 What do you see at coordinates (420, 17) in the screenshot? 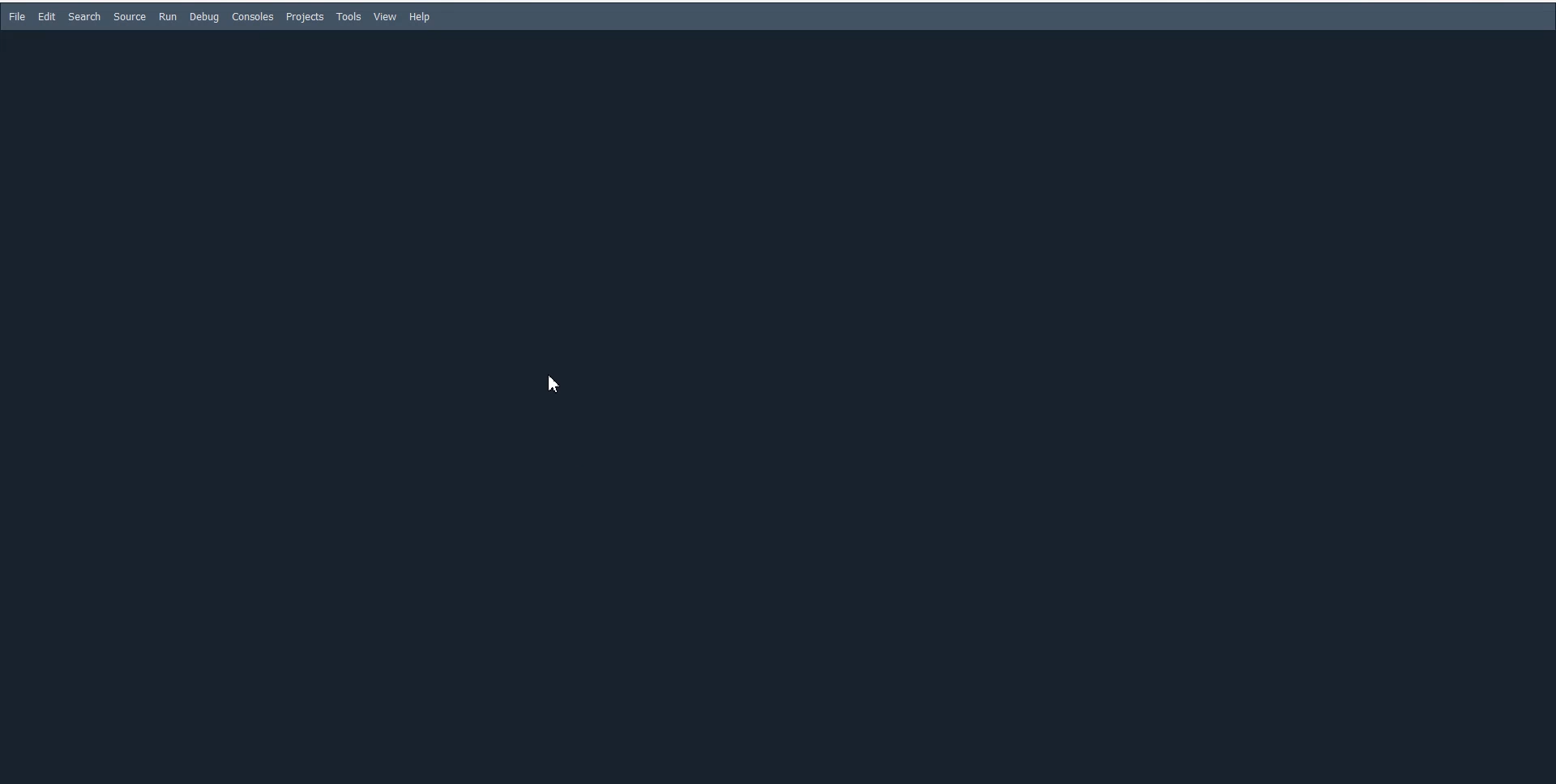
I see `Help` at bounding box center [420, 17].